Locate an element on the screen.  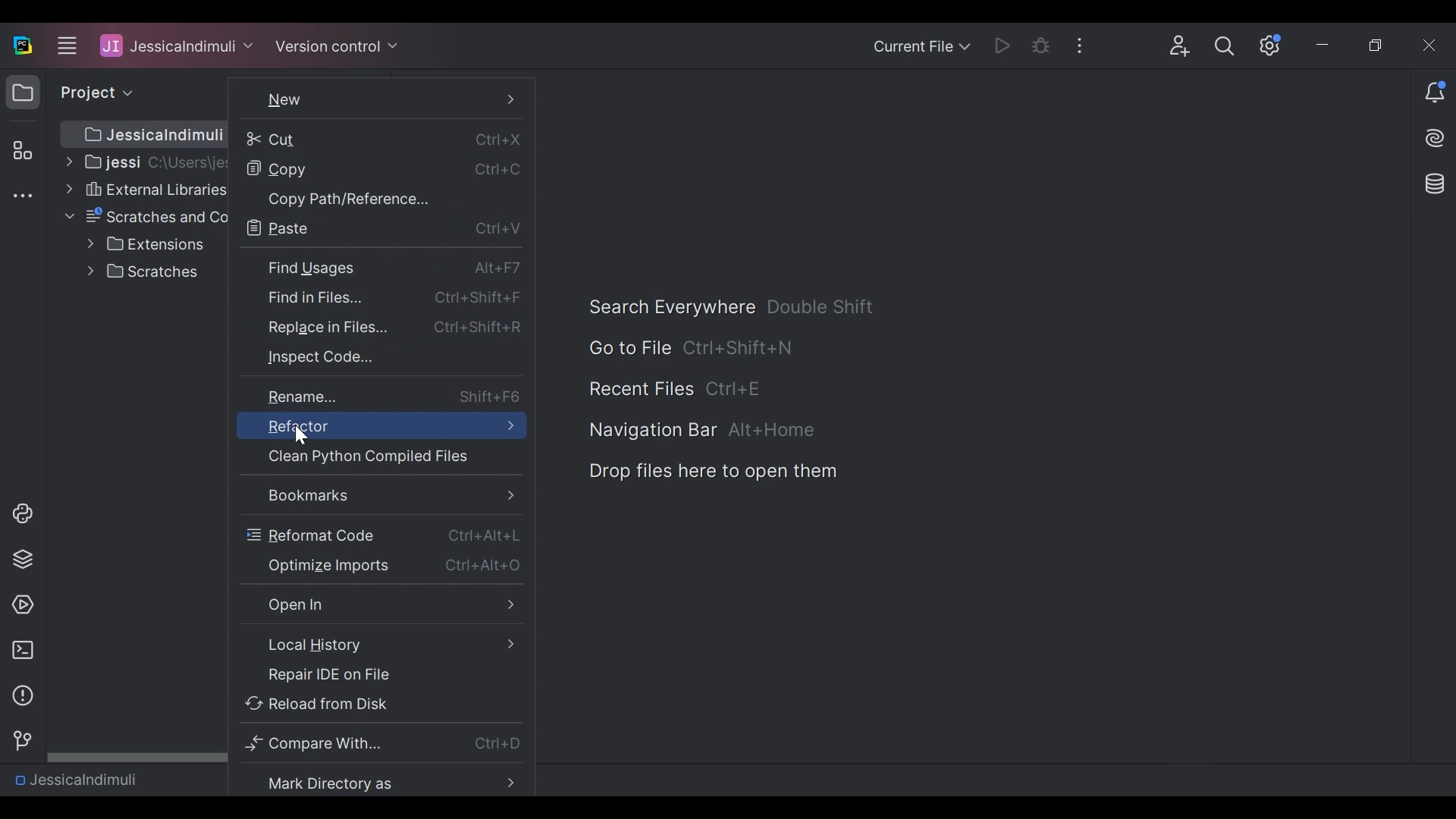
Main  menu is located at coordinates (64, 45).